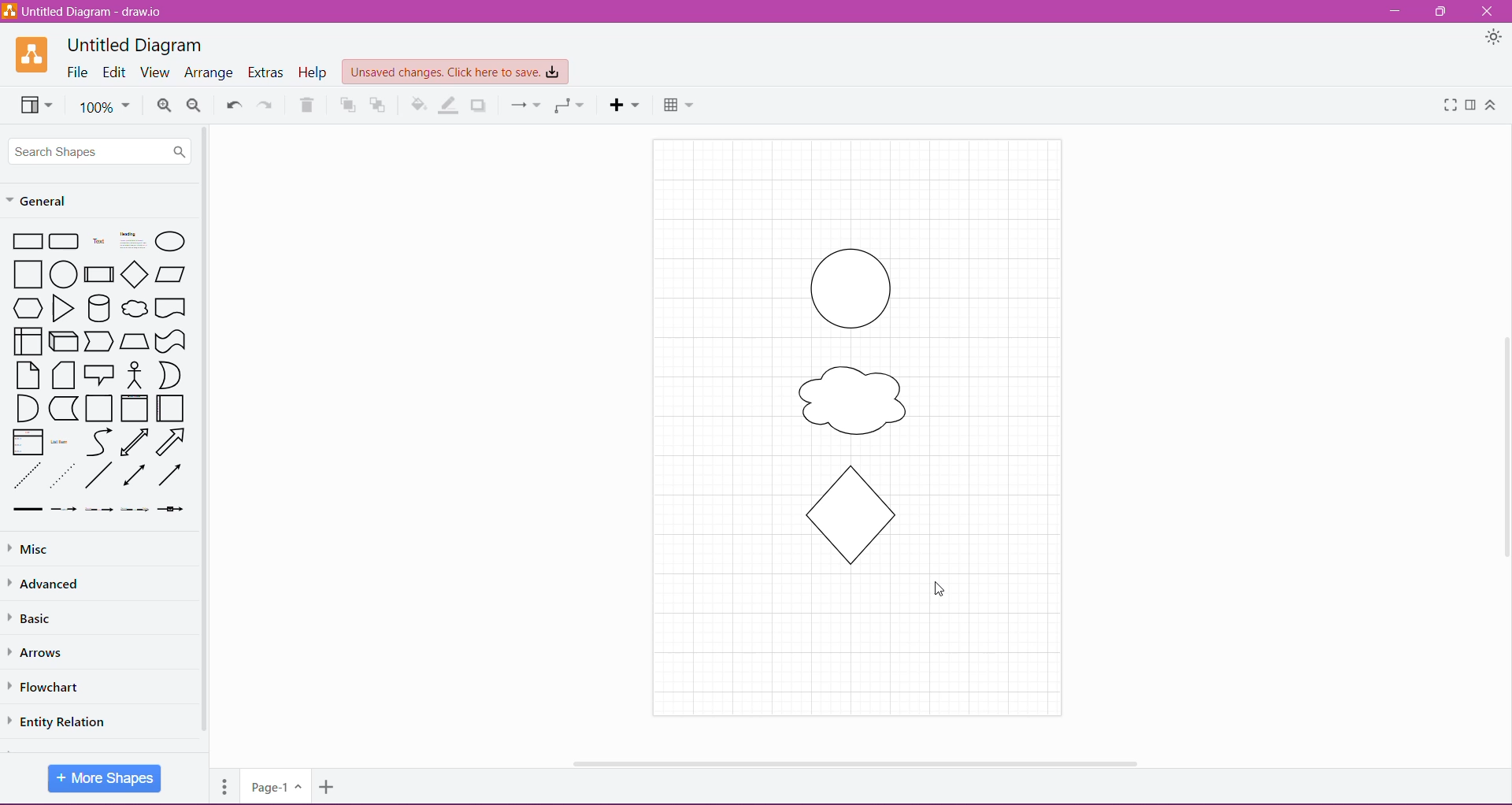 The image size is (1512, 805). Describe the element at coordinates (54, 687) in the screenshot. I see `Flowchart` at that location.